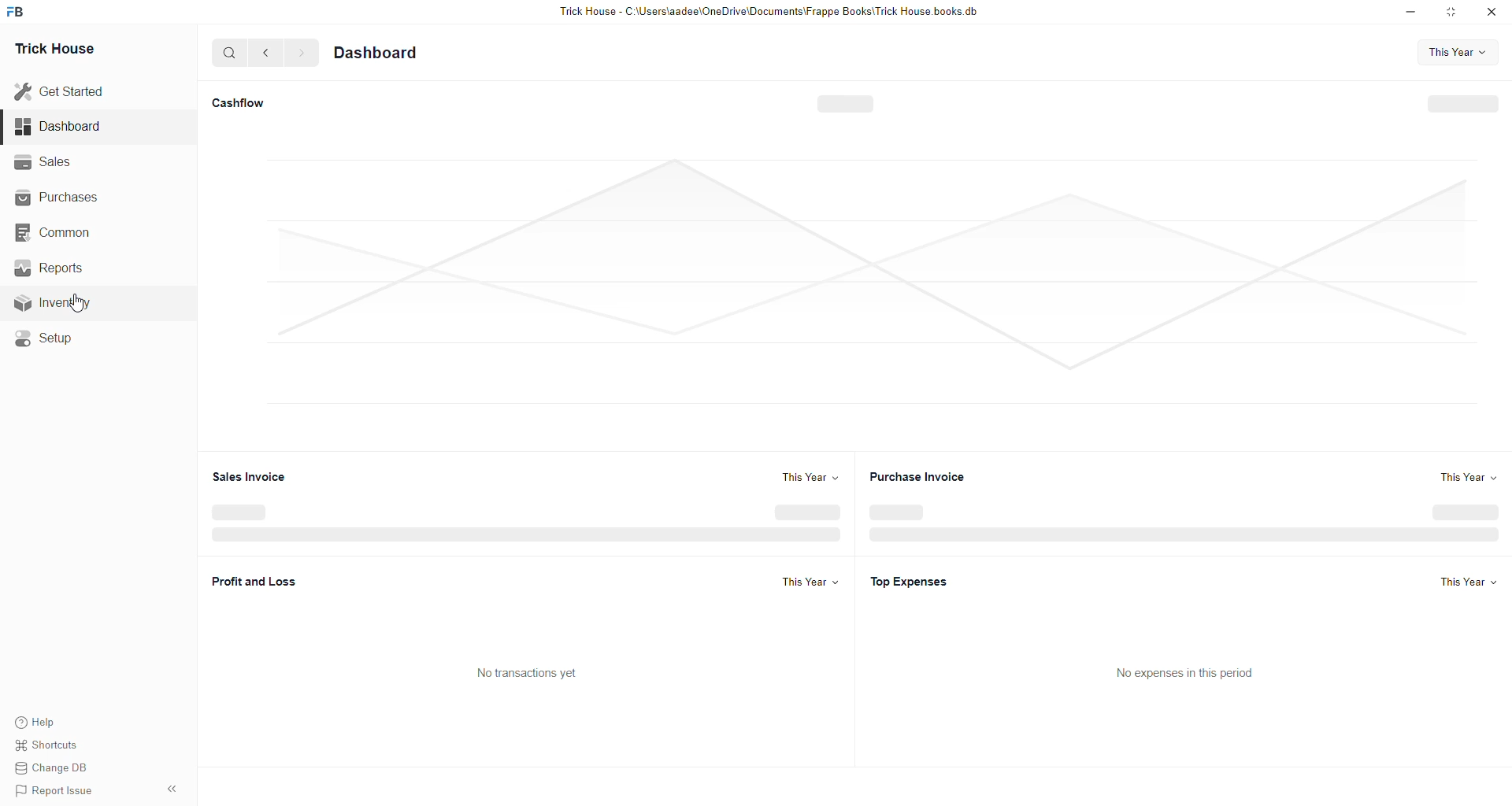  I want to click on Options, so click(176, 787).